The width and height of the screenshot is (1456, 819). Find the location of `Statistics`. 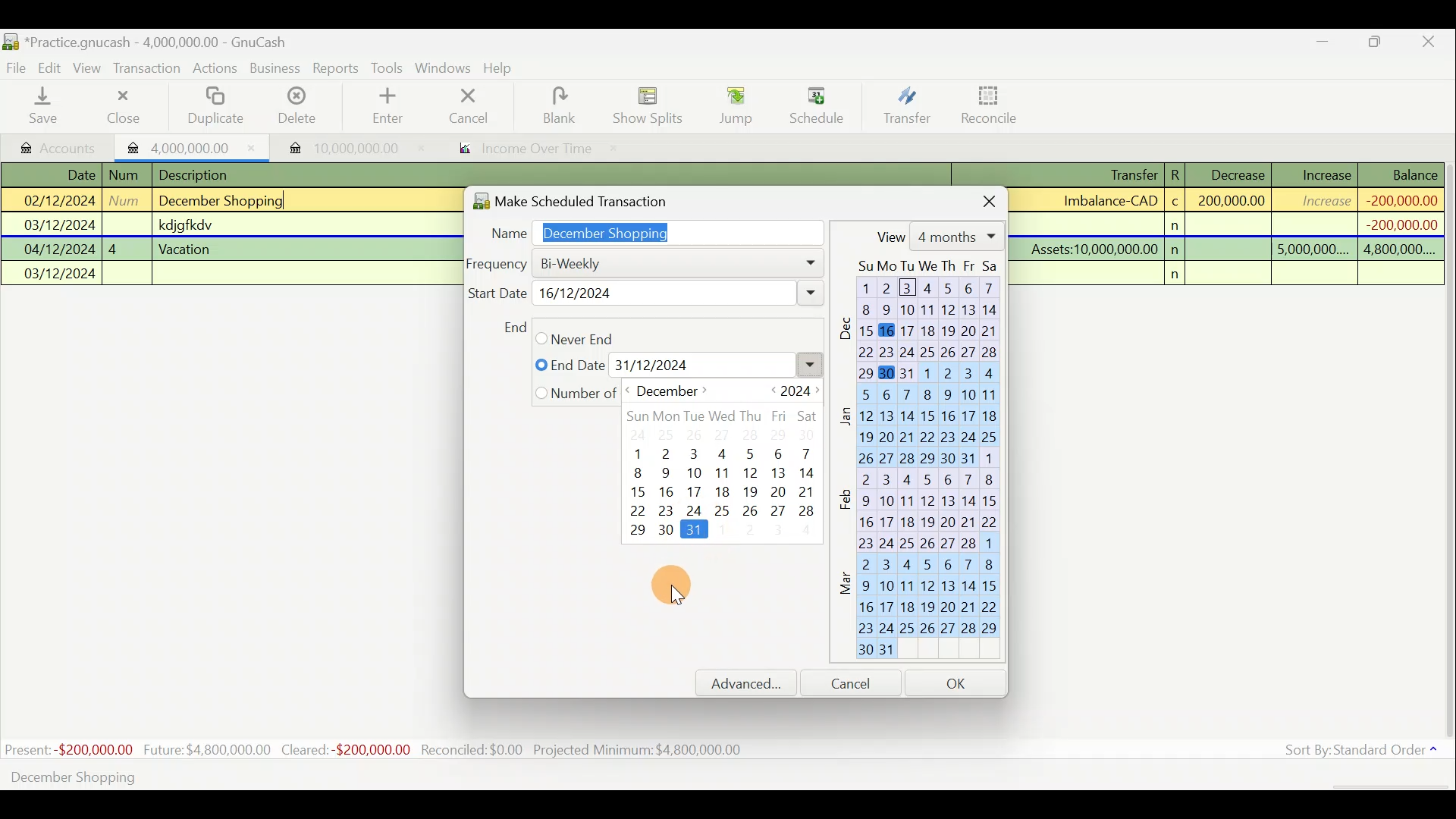

Statistics is located at coordinates (376, 750).